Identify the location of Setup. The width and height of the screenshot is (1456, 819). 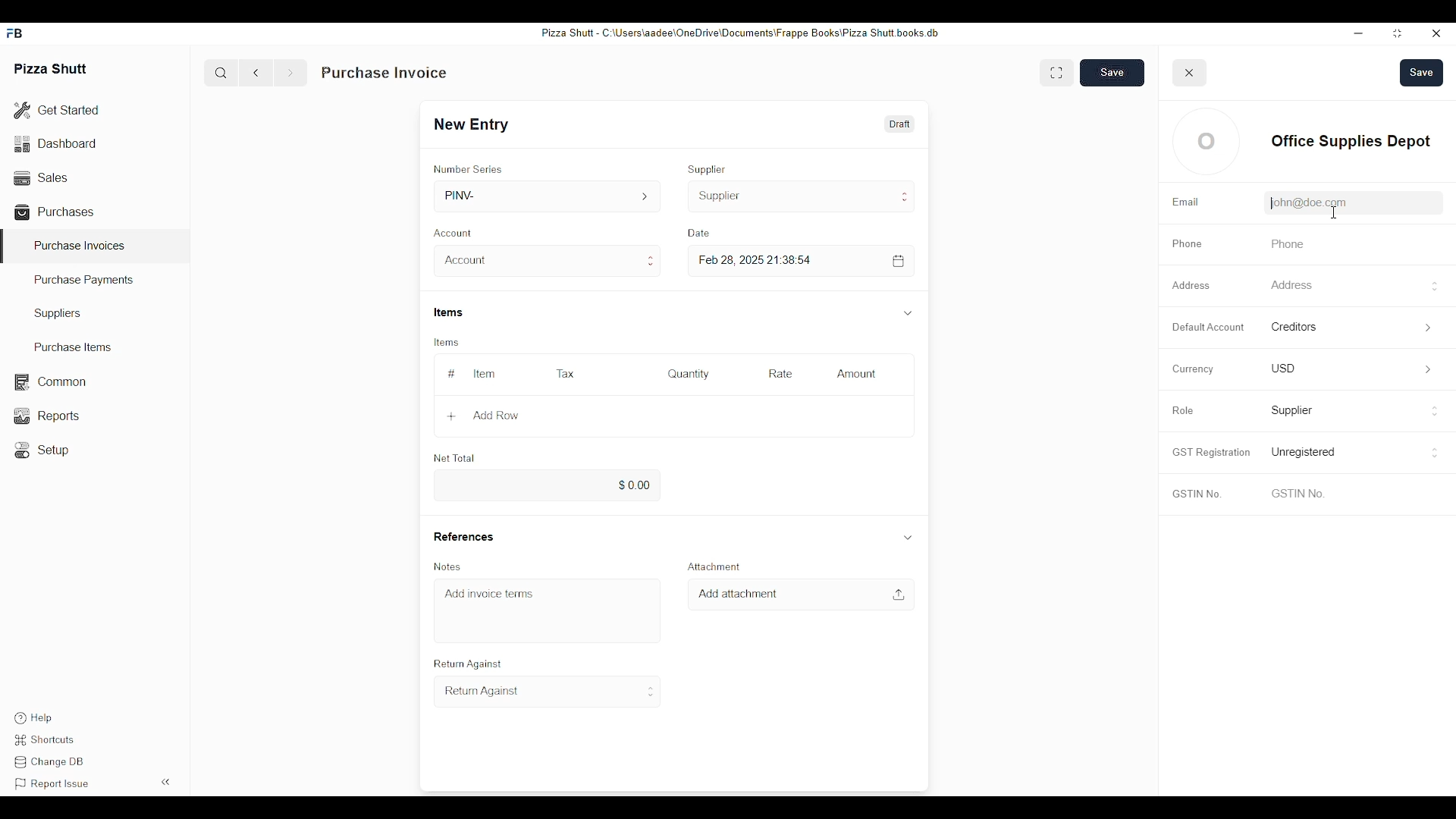
(45, 450).